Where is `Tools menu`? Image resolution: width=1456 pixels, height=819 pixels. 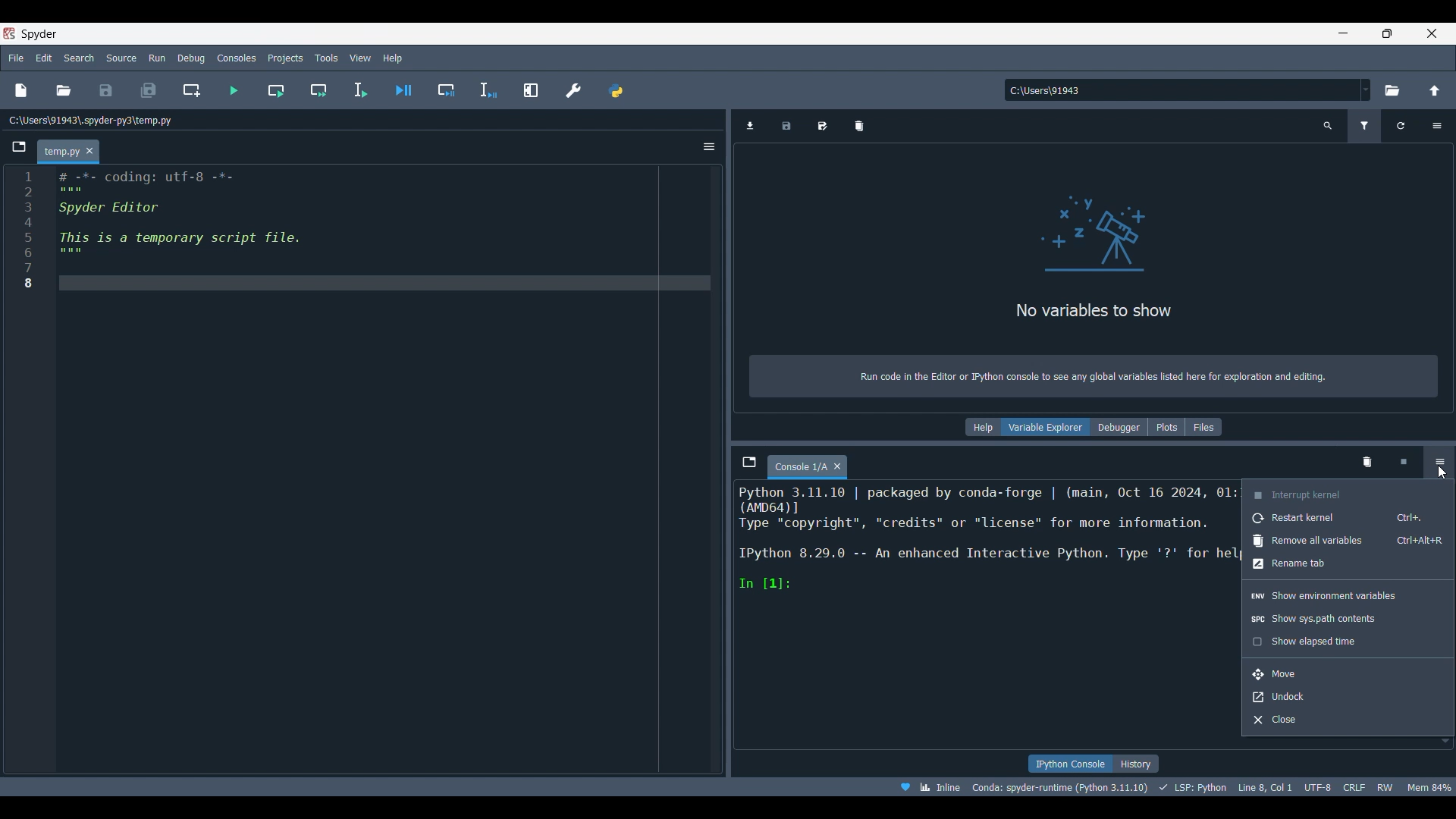
Tools menu is located at coordinates (327, 58).